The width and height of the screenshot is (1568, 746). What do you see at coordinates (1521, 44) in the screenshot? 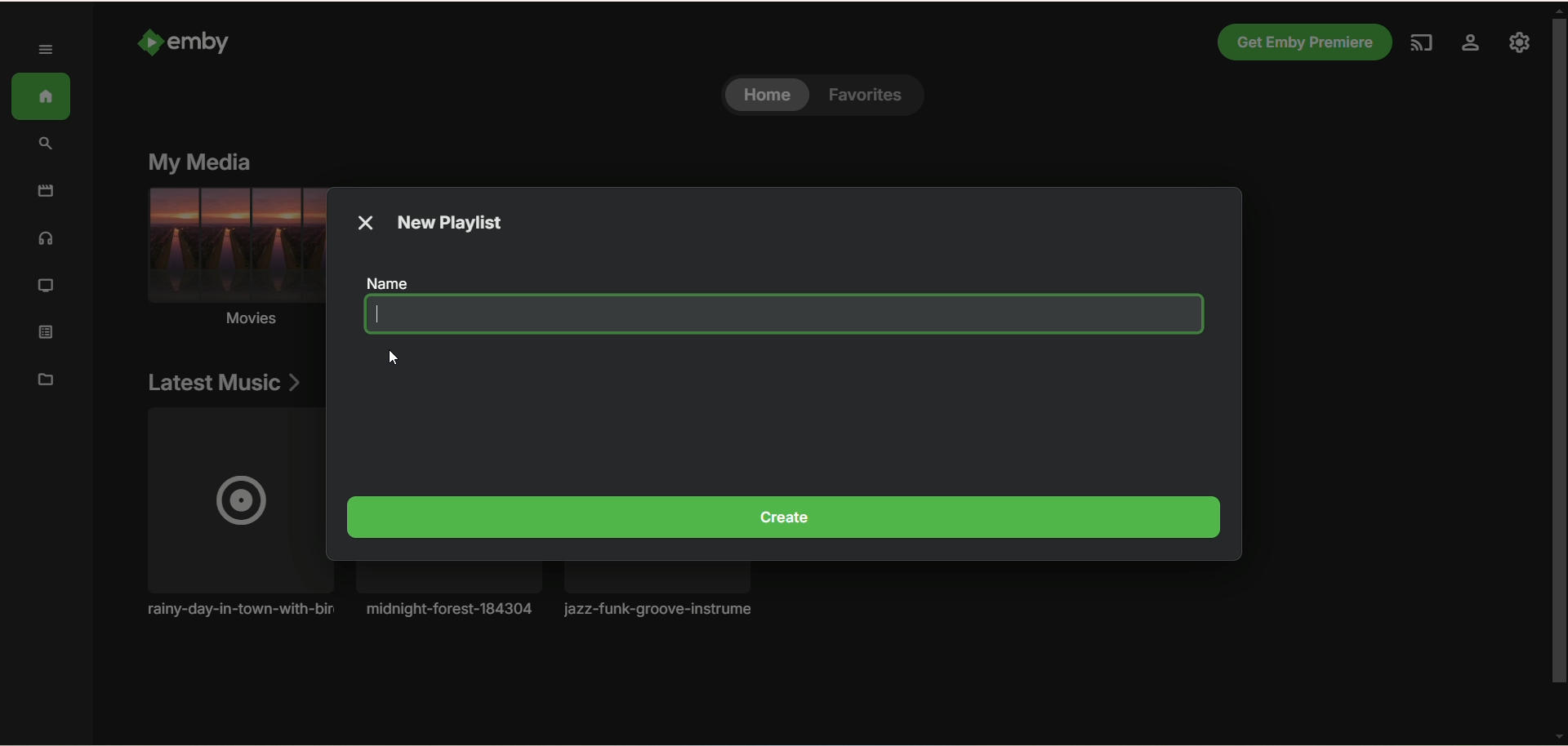
I see `manage emby server` at bounding box center [1521, 44].